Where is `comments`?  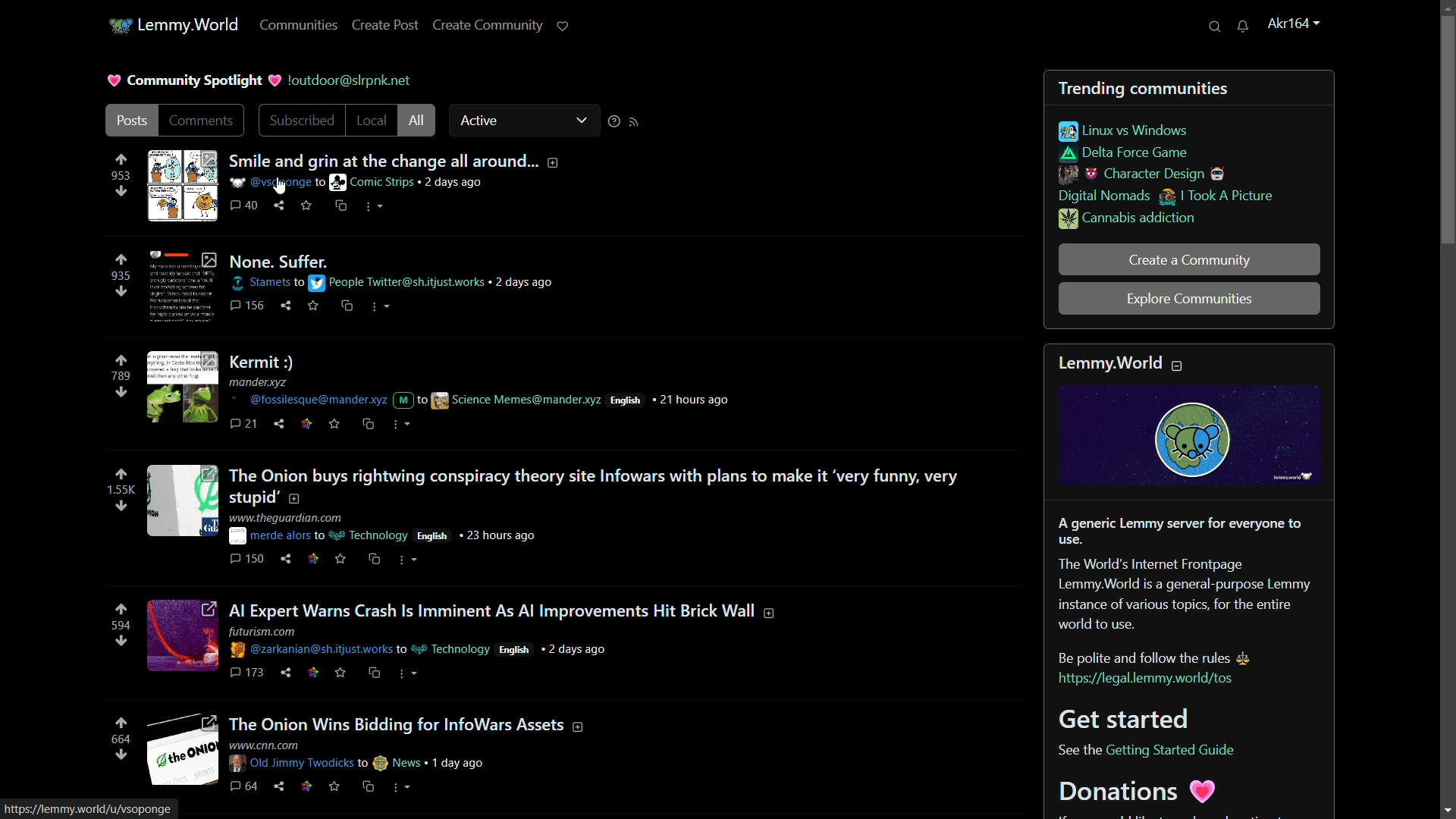
comments is located at coordinates (202, 121).